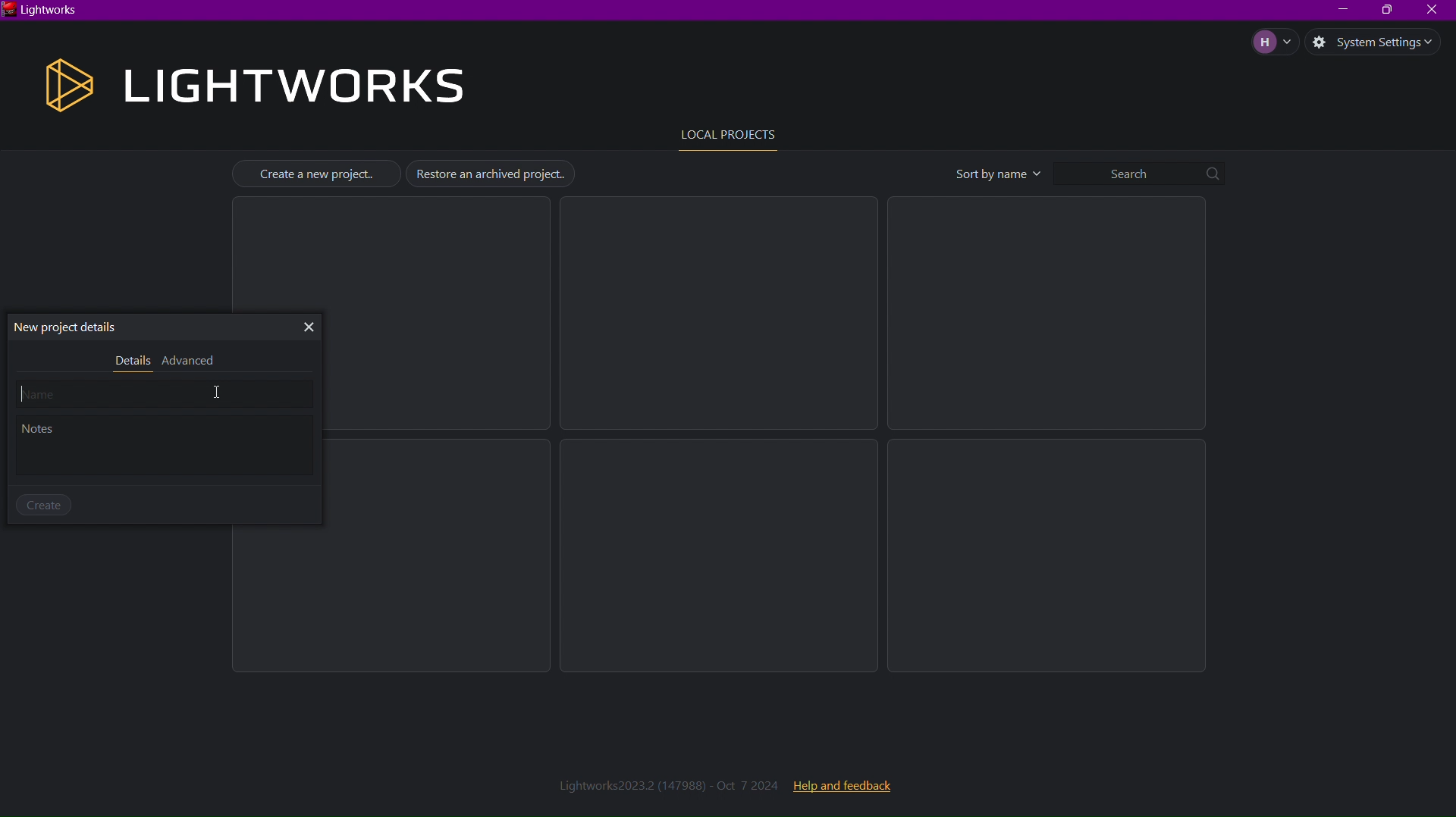 The width and height of the screenshot is (1456, 817). What do you see at coordinates (190, 362) in the screenshot?
I see `Advanced` at bounding box center [190, 362].